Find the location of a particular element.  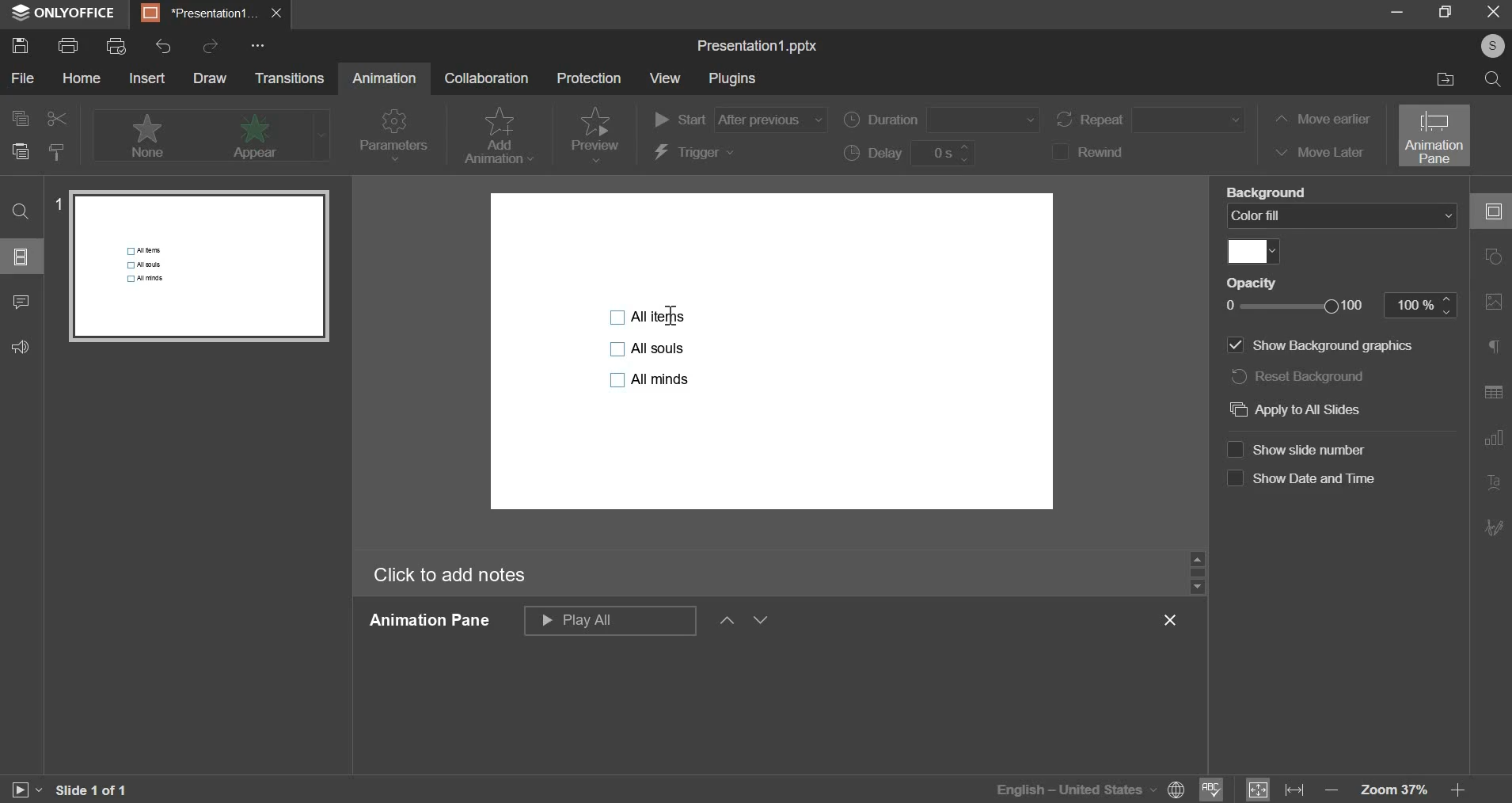

presentation1 is located at coordinates (215, 13).